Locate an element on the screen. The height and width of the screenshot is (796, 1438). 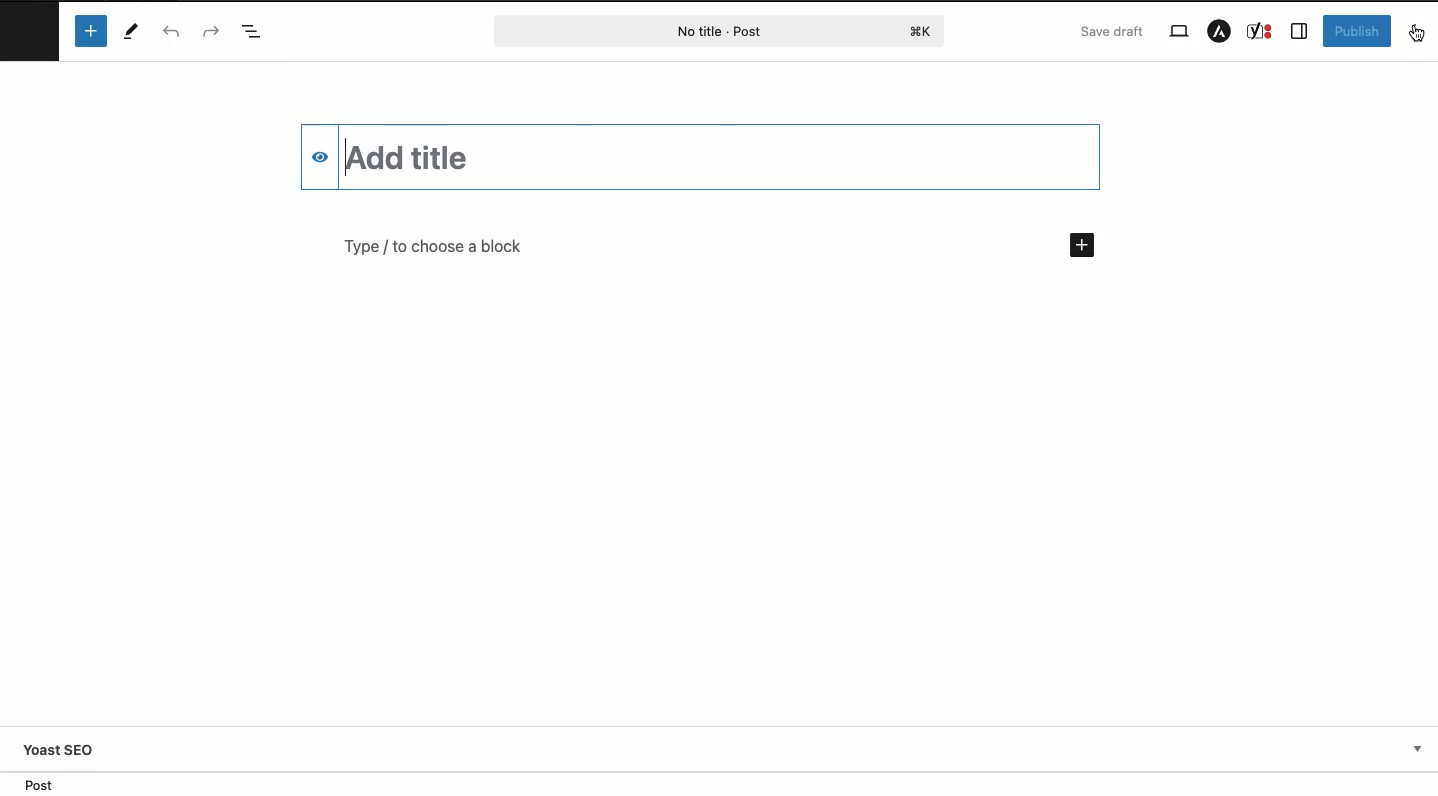
Redo is located at coordinates (212, 32).